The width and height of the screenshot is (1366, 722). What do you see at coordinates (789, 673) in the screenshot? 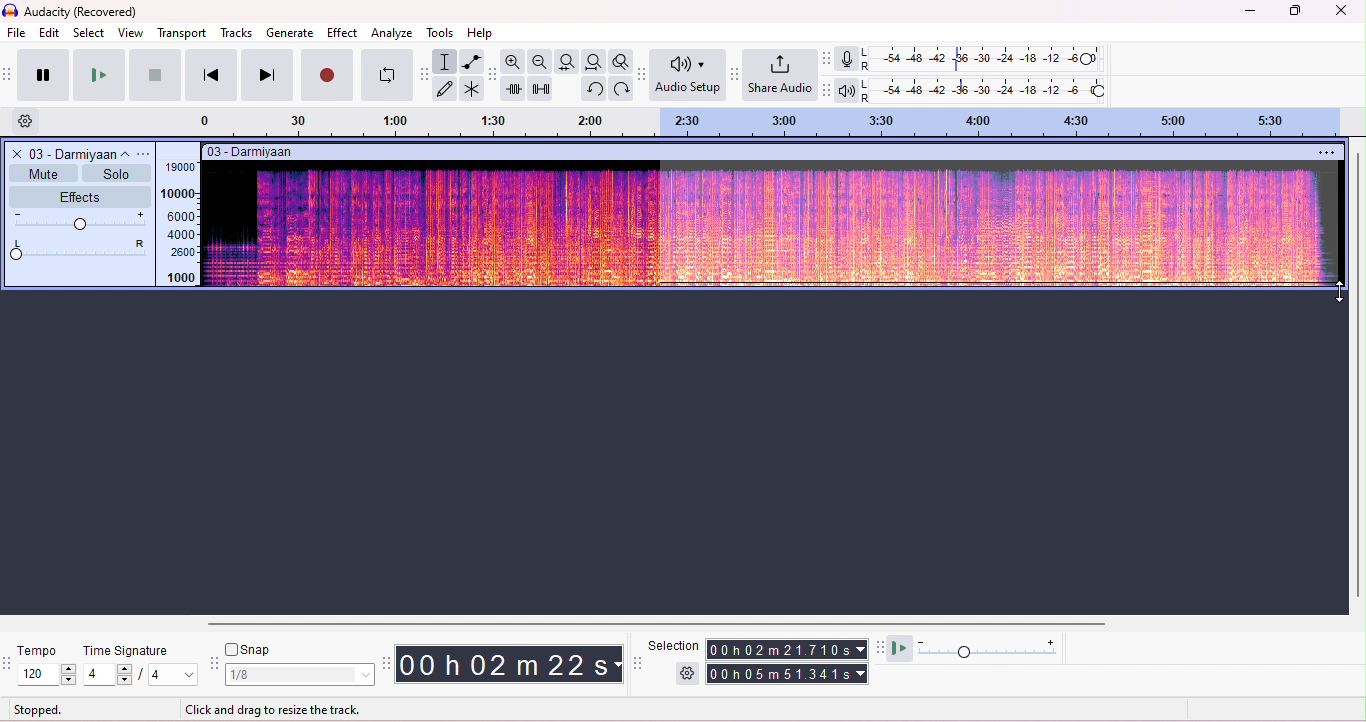
I see `selected time` at bounding box center [789, 673].